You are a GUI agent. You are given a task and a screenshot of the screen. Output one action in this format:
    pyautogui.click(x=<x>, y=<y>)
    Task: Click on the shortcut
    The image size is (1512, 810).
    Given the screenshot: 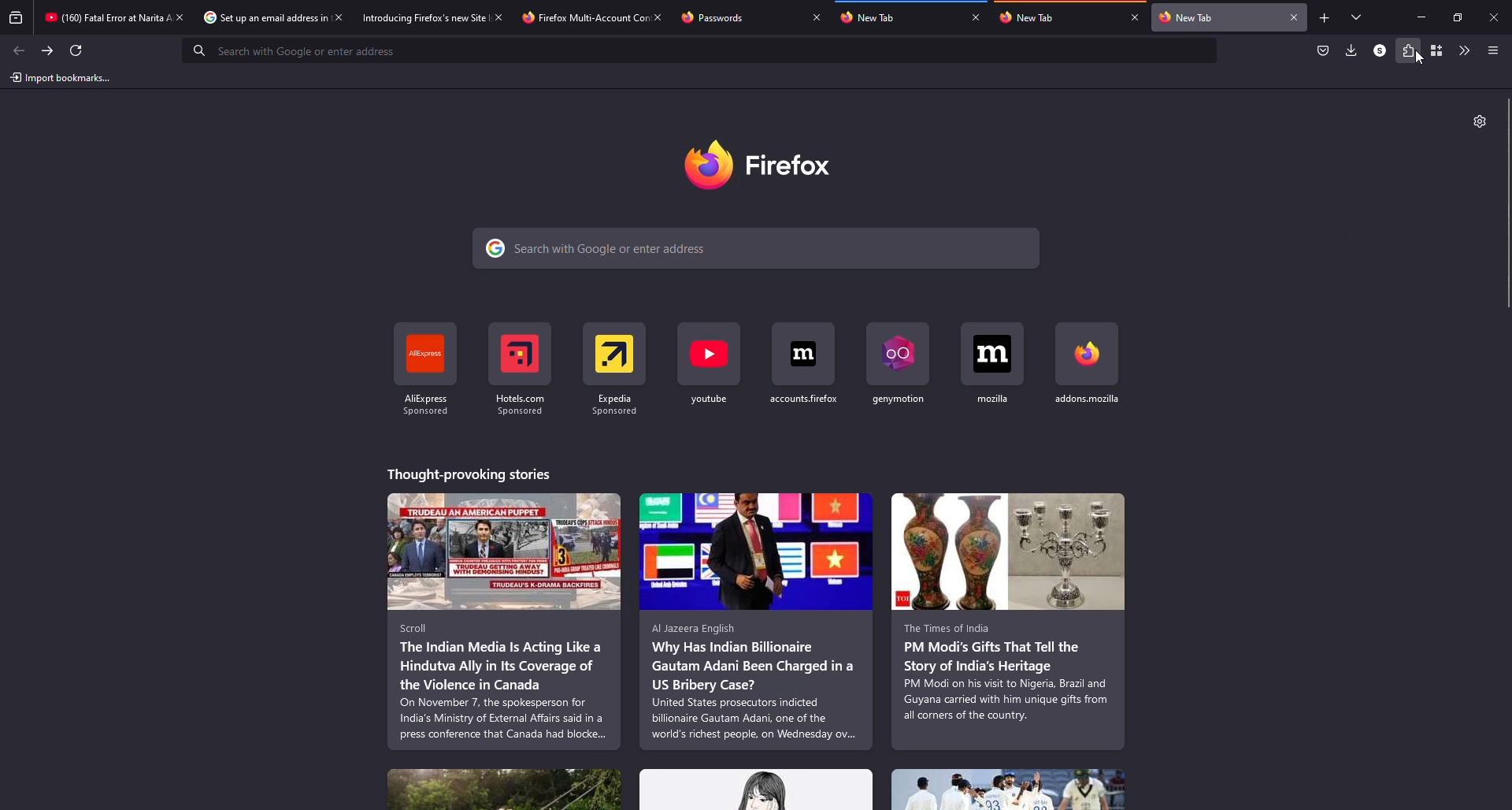 What is the action you would take?
    pyautogui.click(x=1089, y=370)
    